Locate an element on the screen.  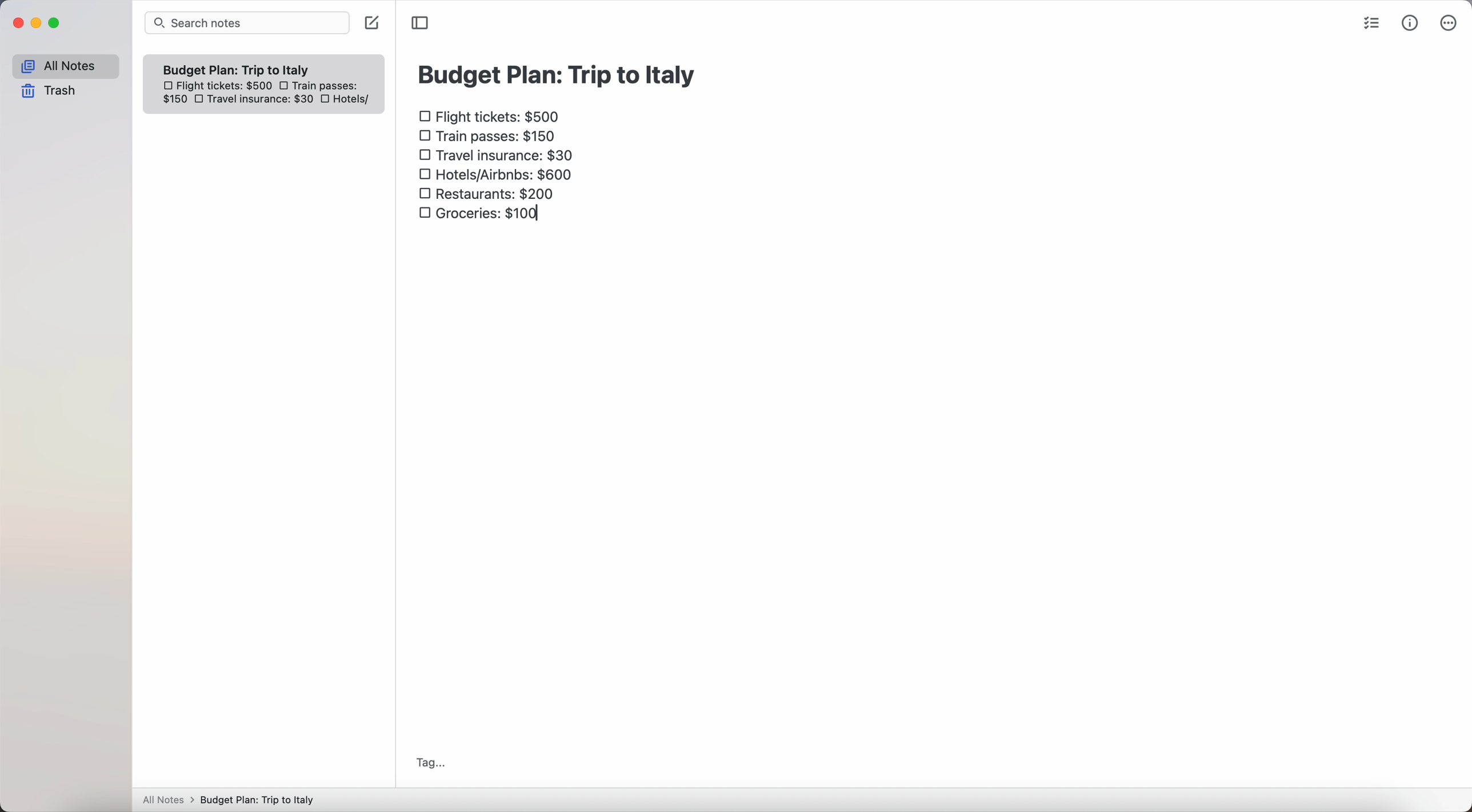
flight tickets: $500 is located at coordinates (217, 87).